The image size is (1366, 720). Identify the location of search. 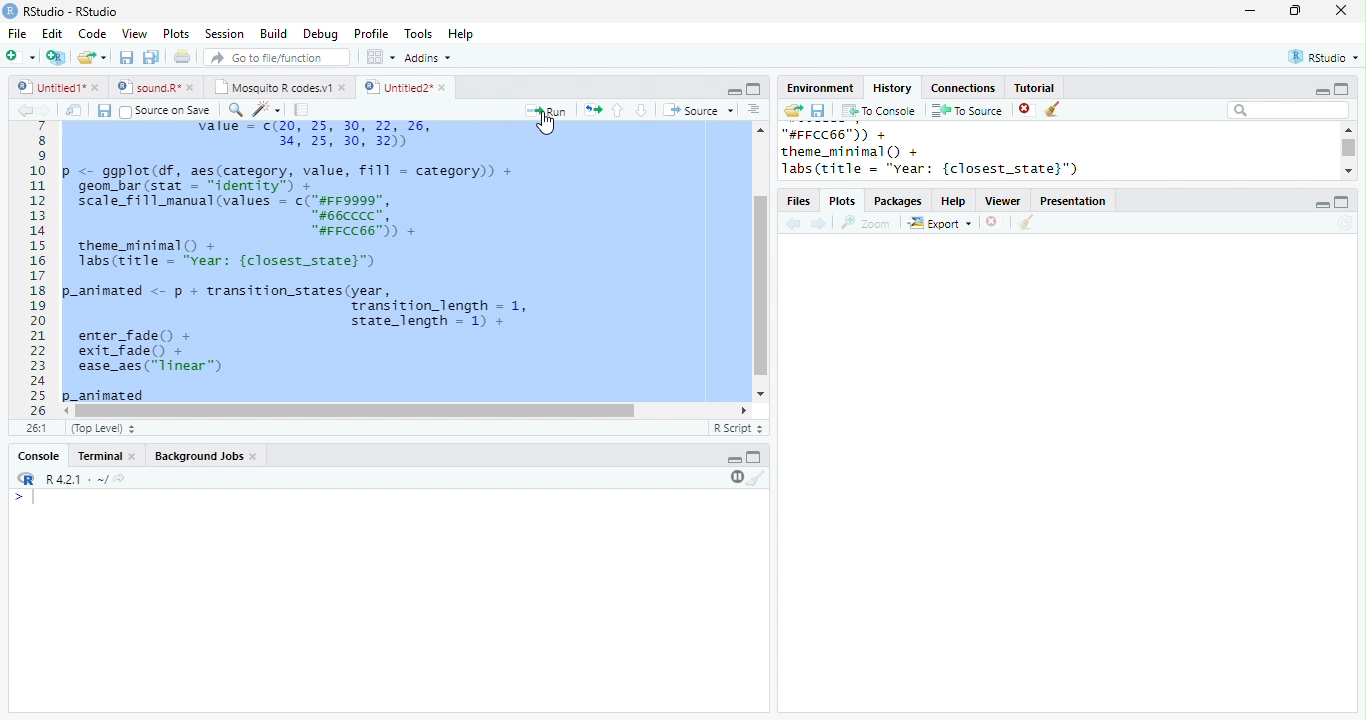
(233, 110).